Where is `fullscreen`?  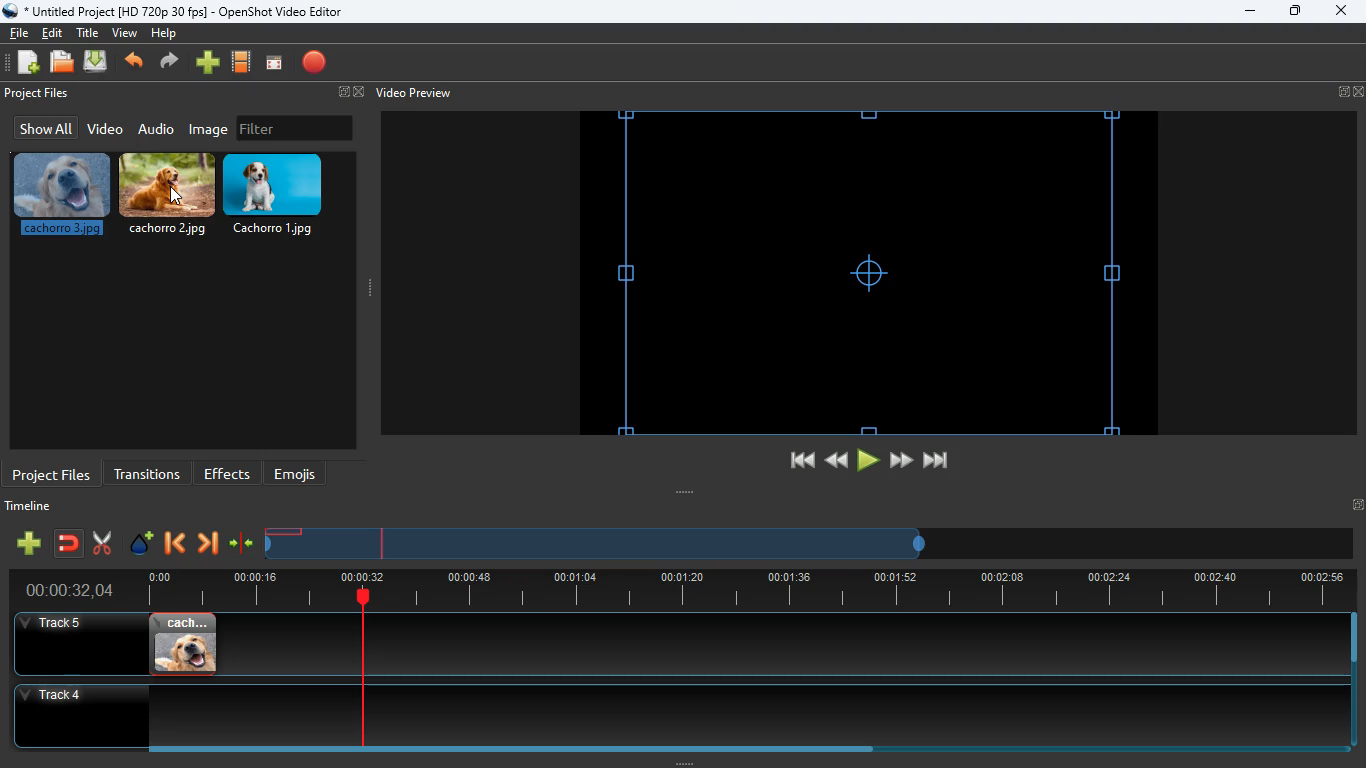
fullscreen is located at coordinates (348, 93).